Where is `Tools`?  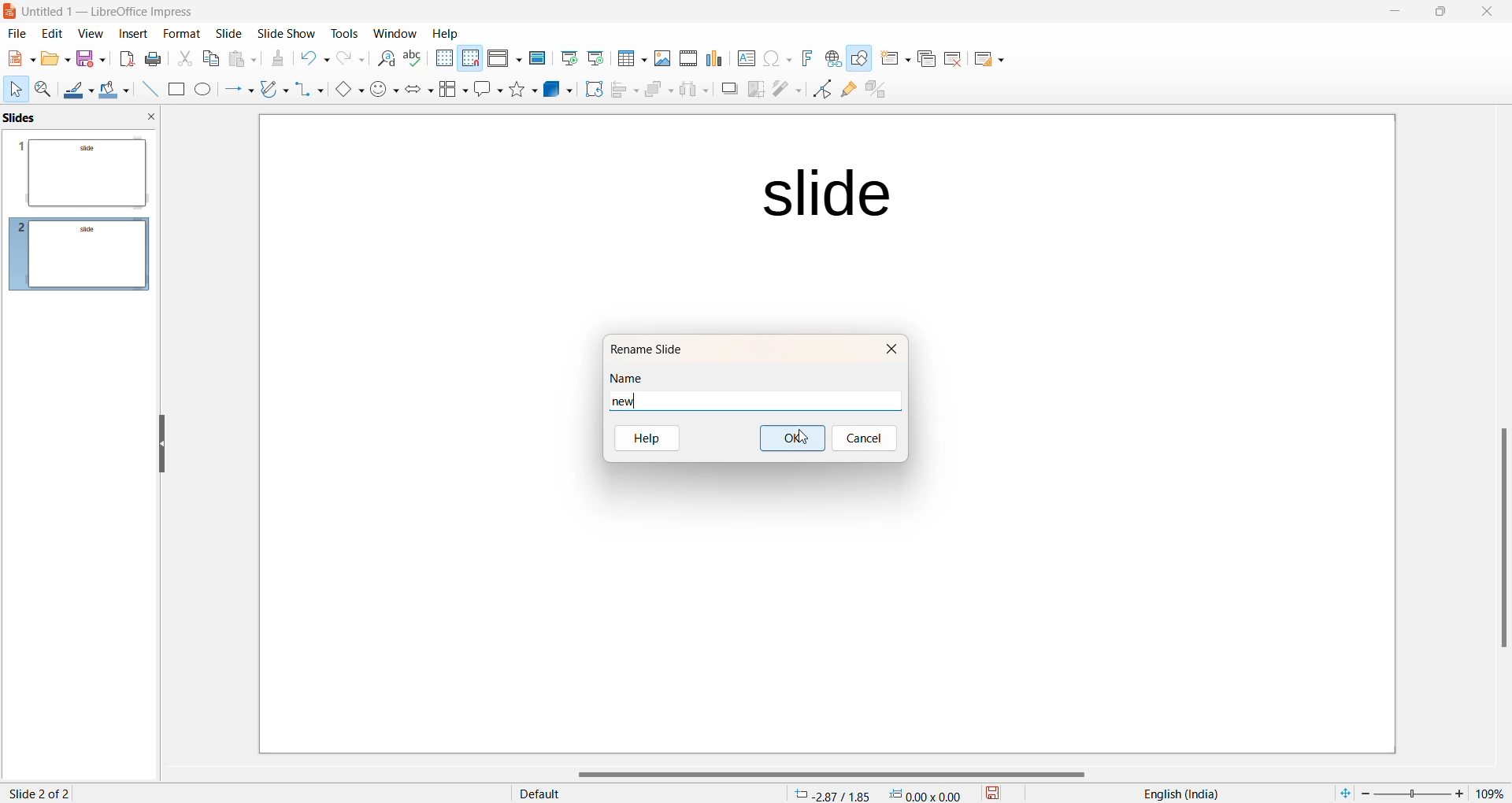
Tools is located at coordinates (342, 31).